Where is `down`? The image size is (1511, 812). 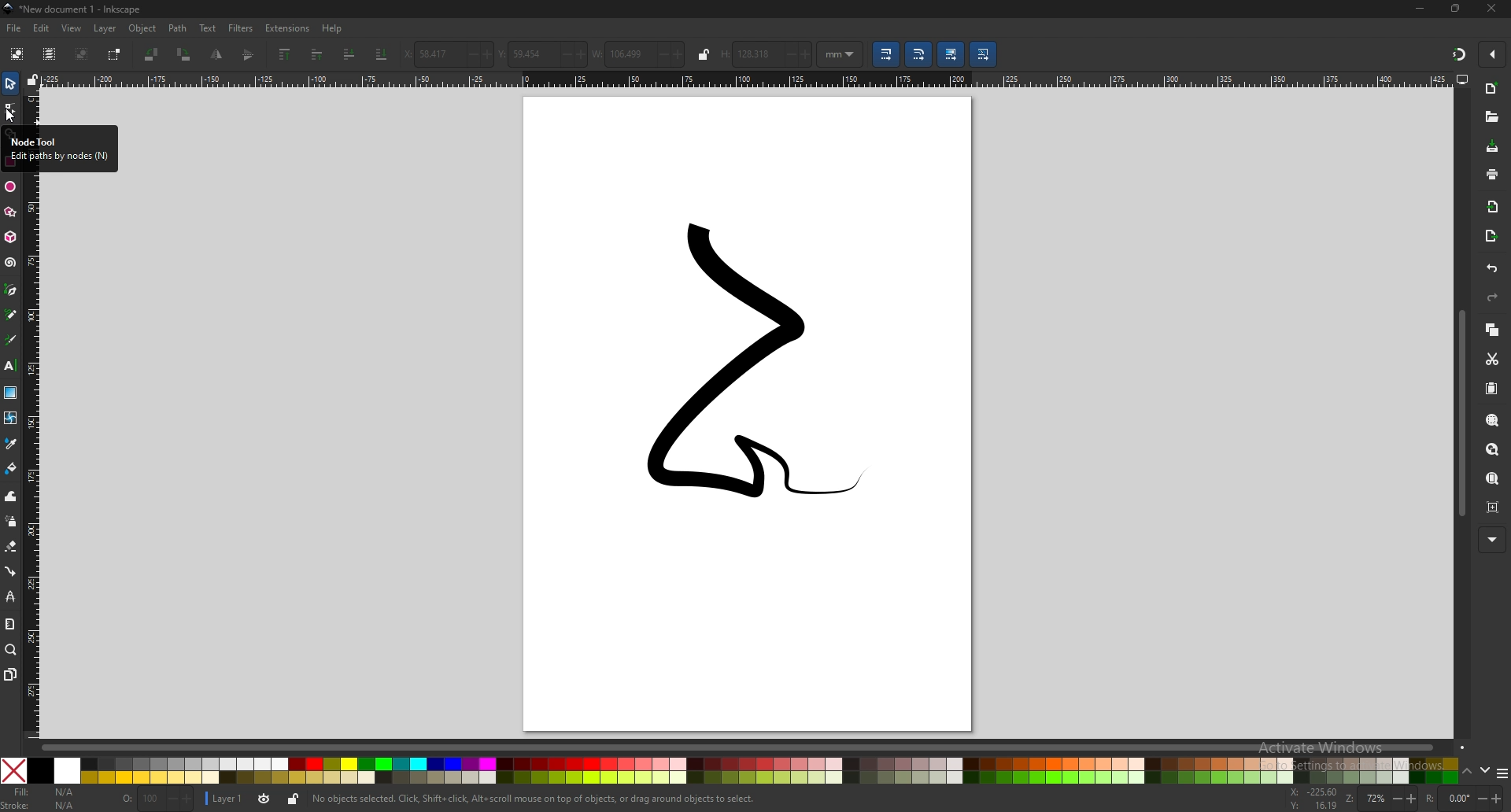
down is located at coordinates (1483, 772).